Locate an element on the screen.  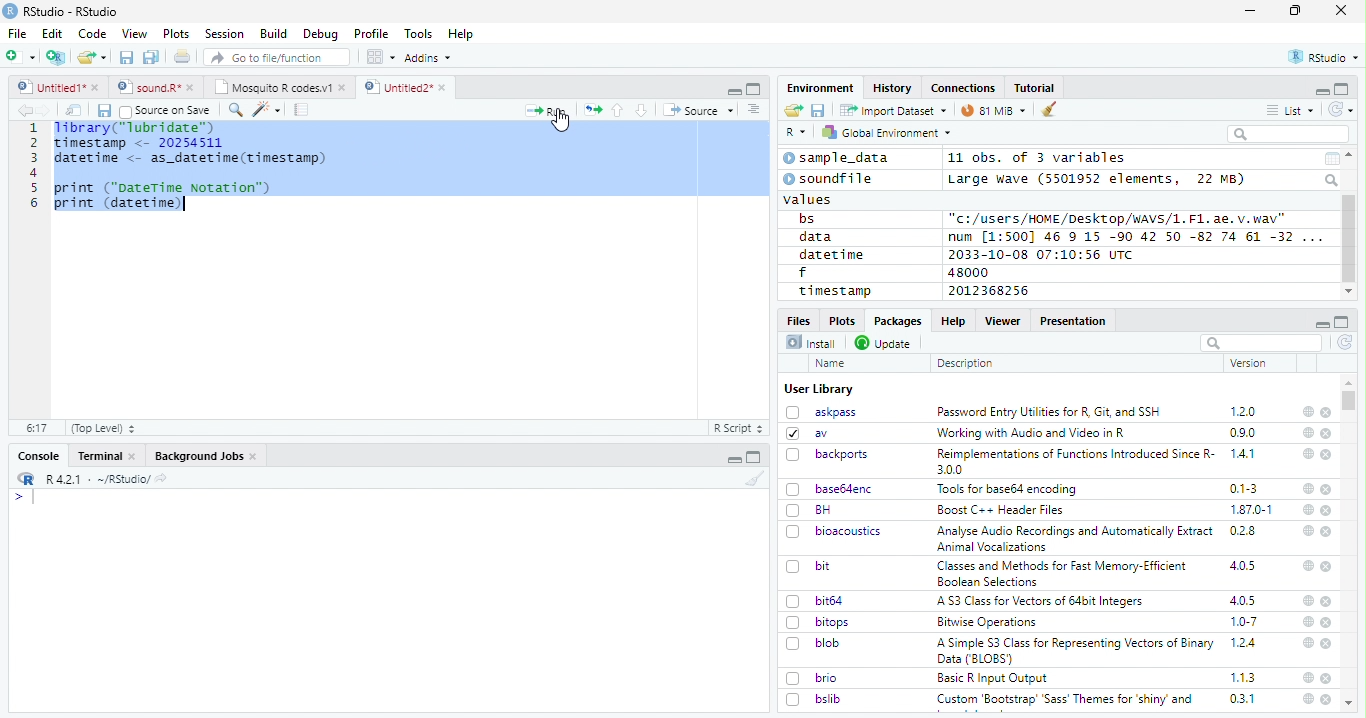
cursor is located at coordinates (564, 123).